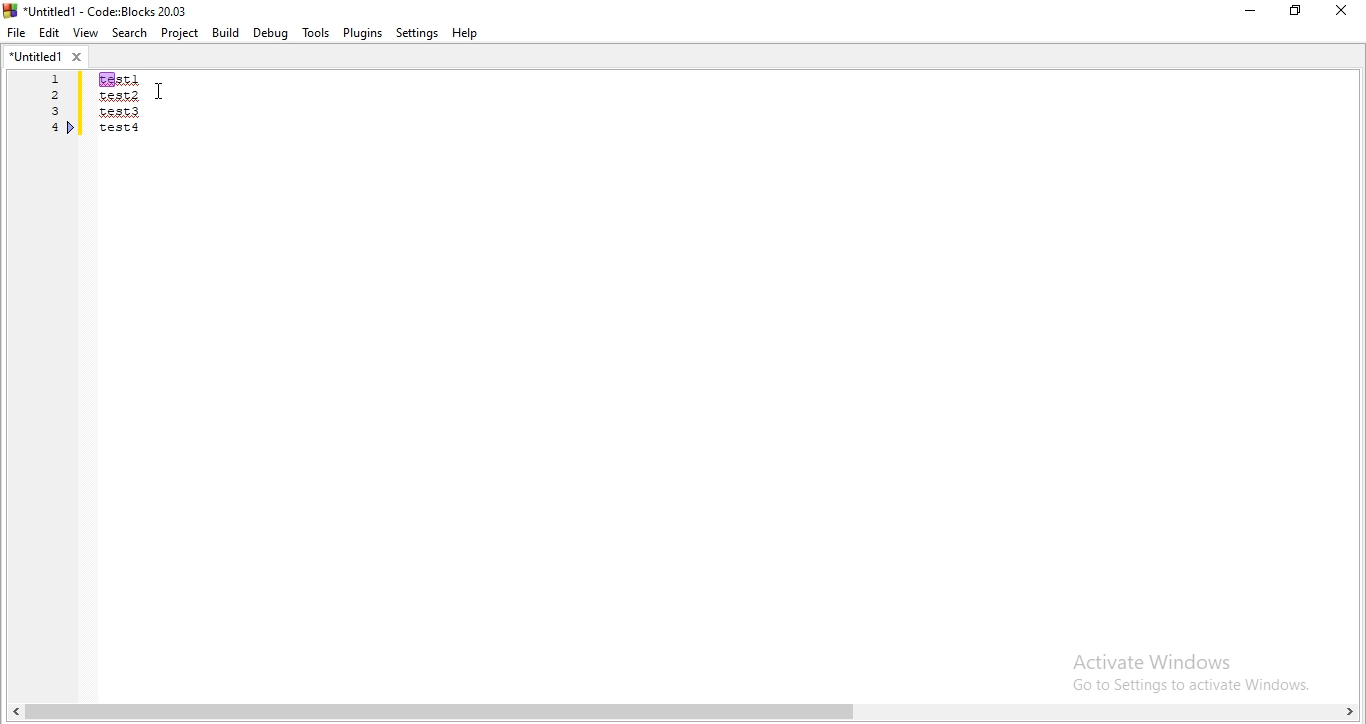 Image resolution: width=1366 pixels, height=724 pixels. I want to click on Project , so click(181, 34).